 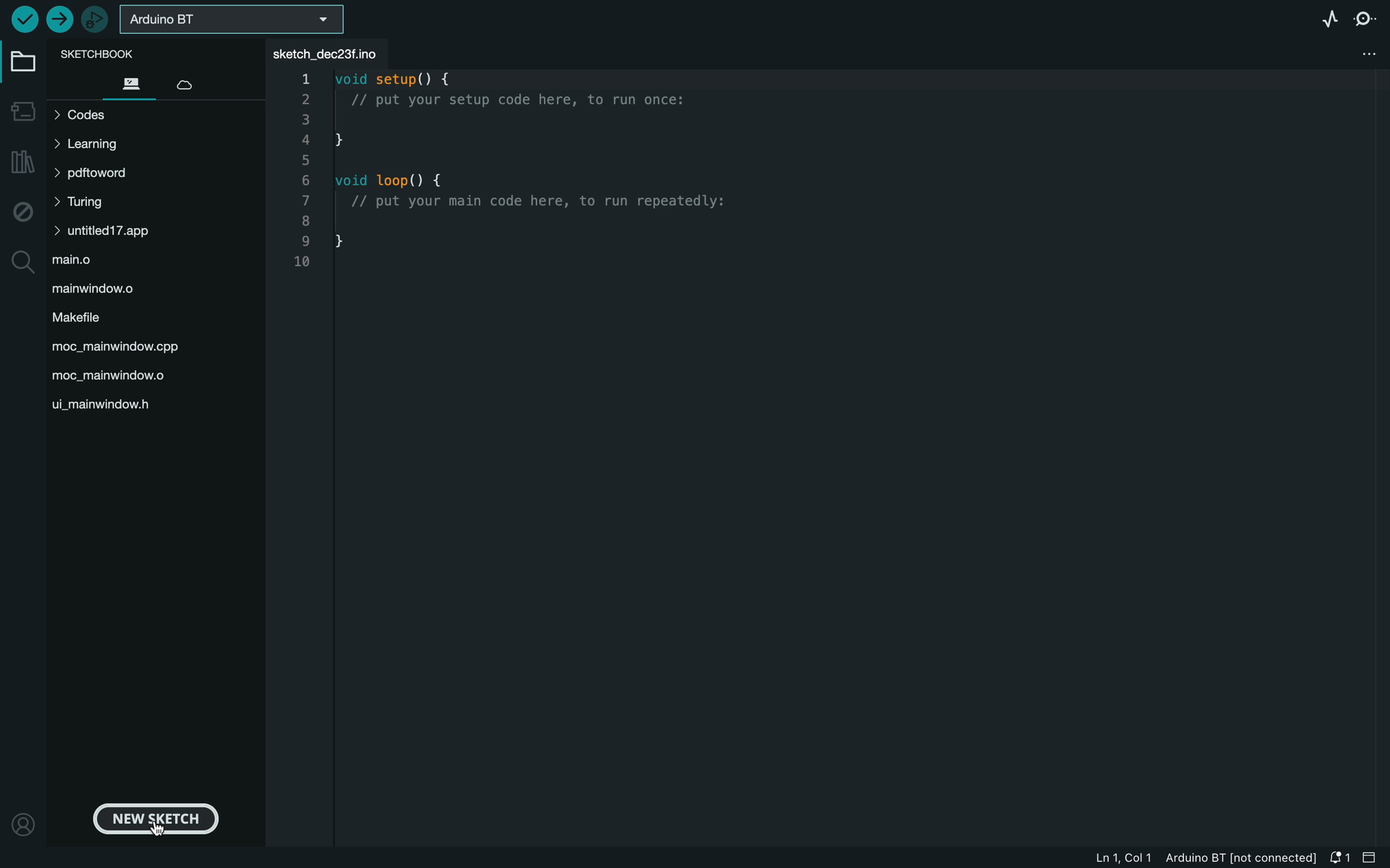 I want to click on file information, so click(x=1186, y=859).